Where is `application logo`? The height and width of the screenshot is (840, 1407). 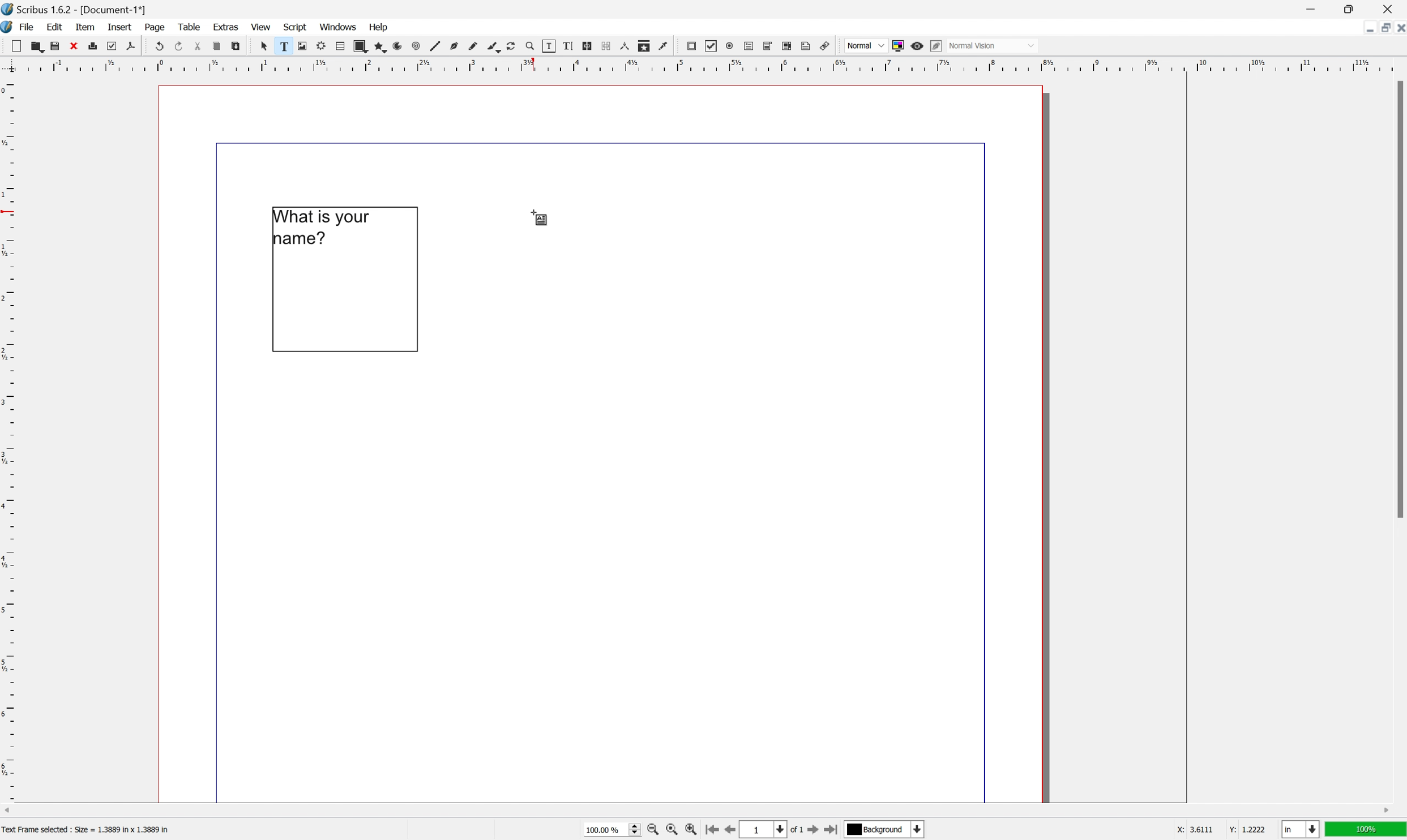
application logo is located at coordinates (9, 28).